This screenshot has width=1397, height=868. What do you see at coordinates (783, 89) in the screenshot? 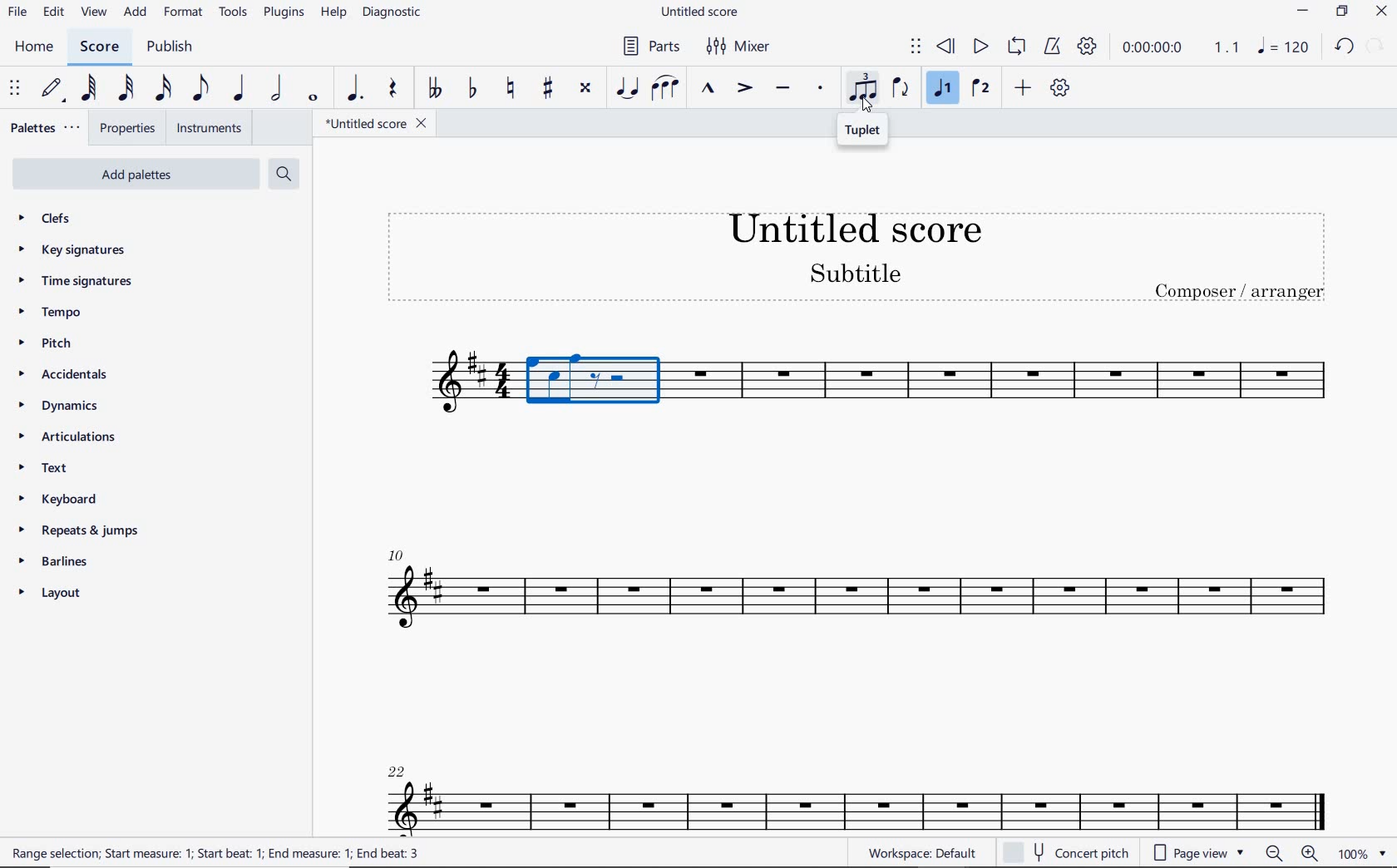
I see `TENUTO` at bounding box center [783, 89].